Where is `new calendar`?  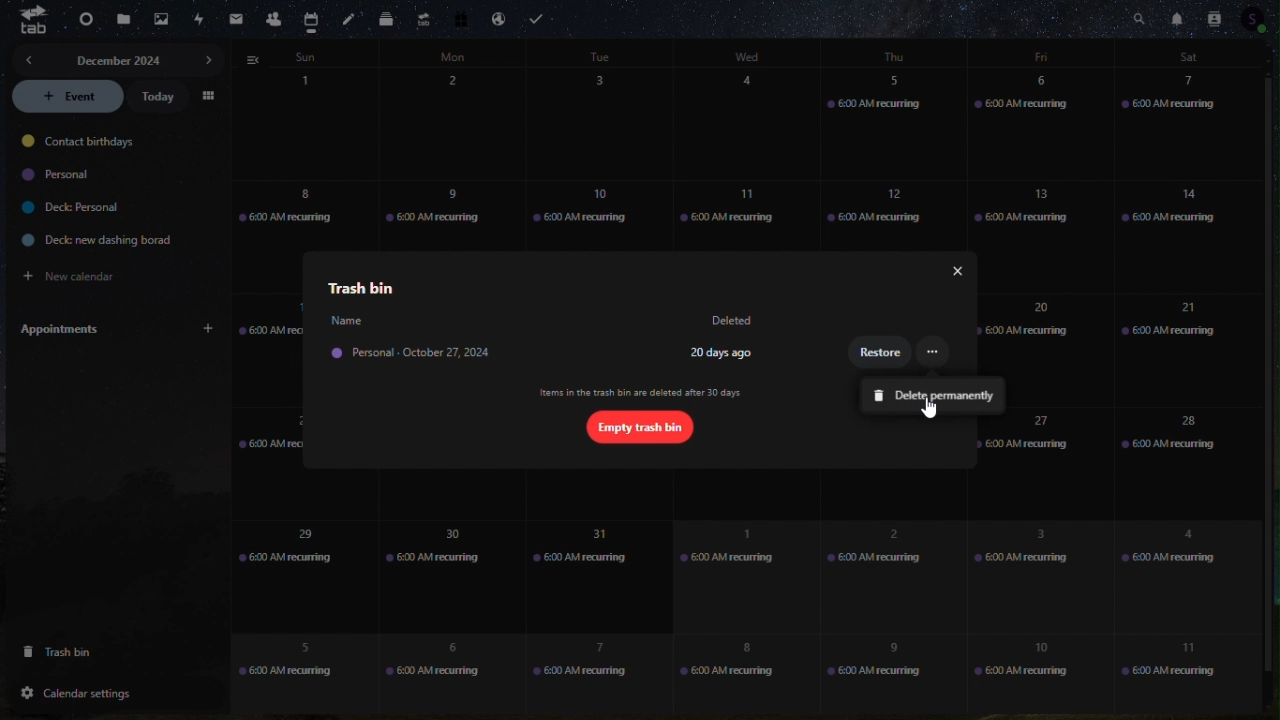 new calendar is located at coordinates (86, 273).